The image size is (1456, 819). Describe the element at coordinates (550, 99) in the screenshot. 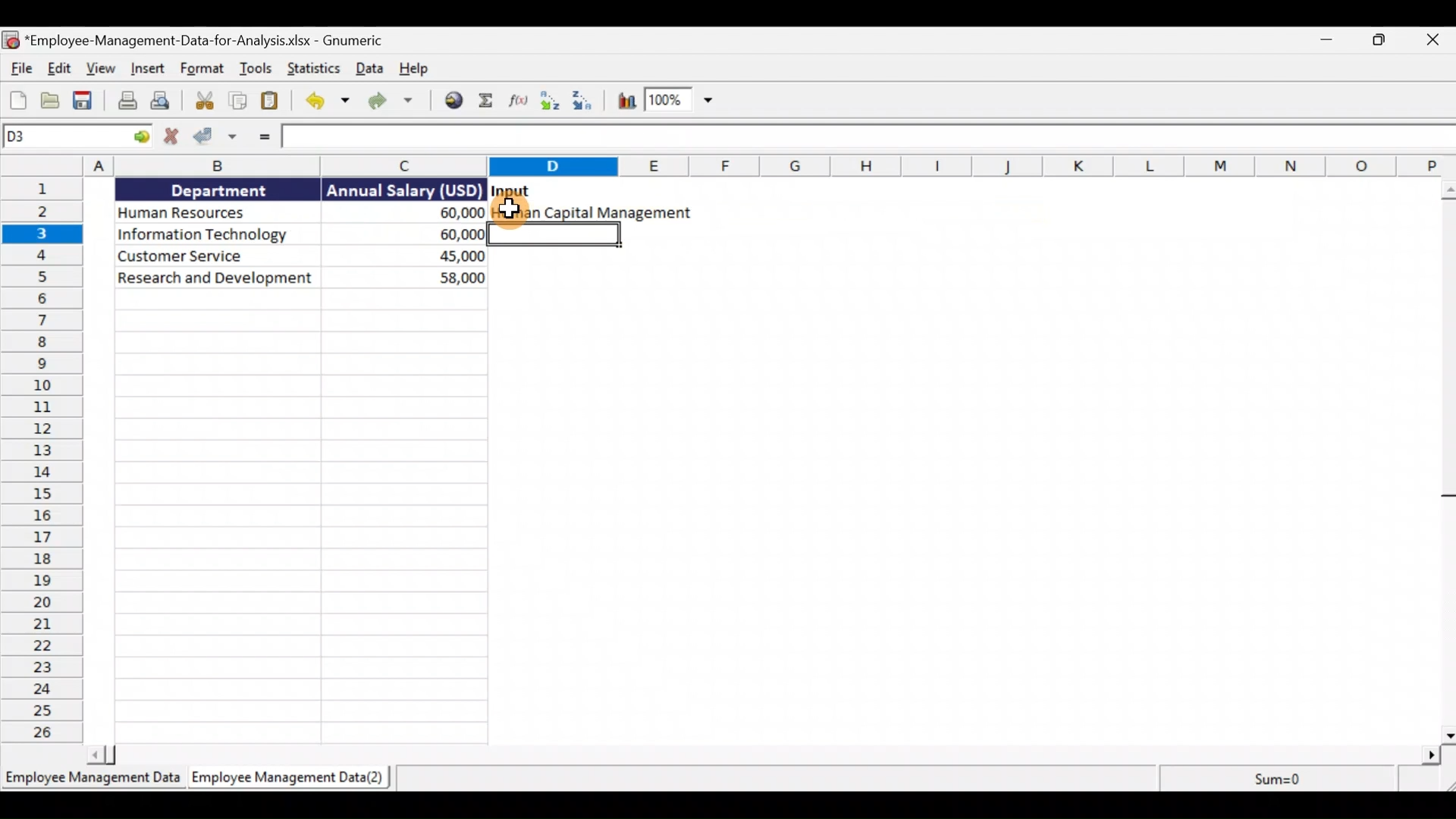

I see `Sort Ascending` at that location.